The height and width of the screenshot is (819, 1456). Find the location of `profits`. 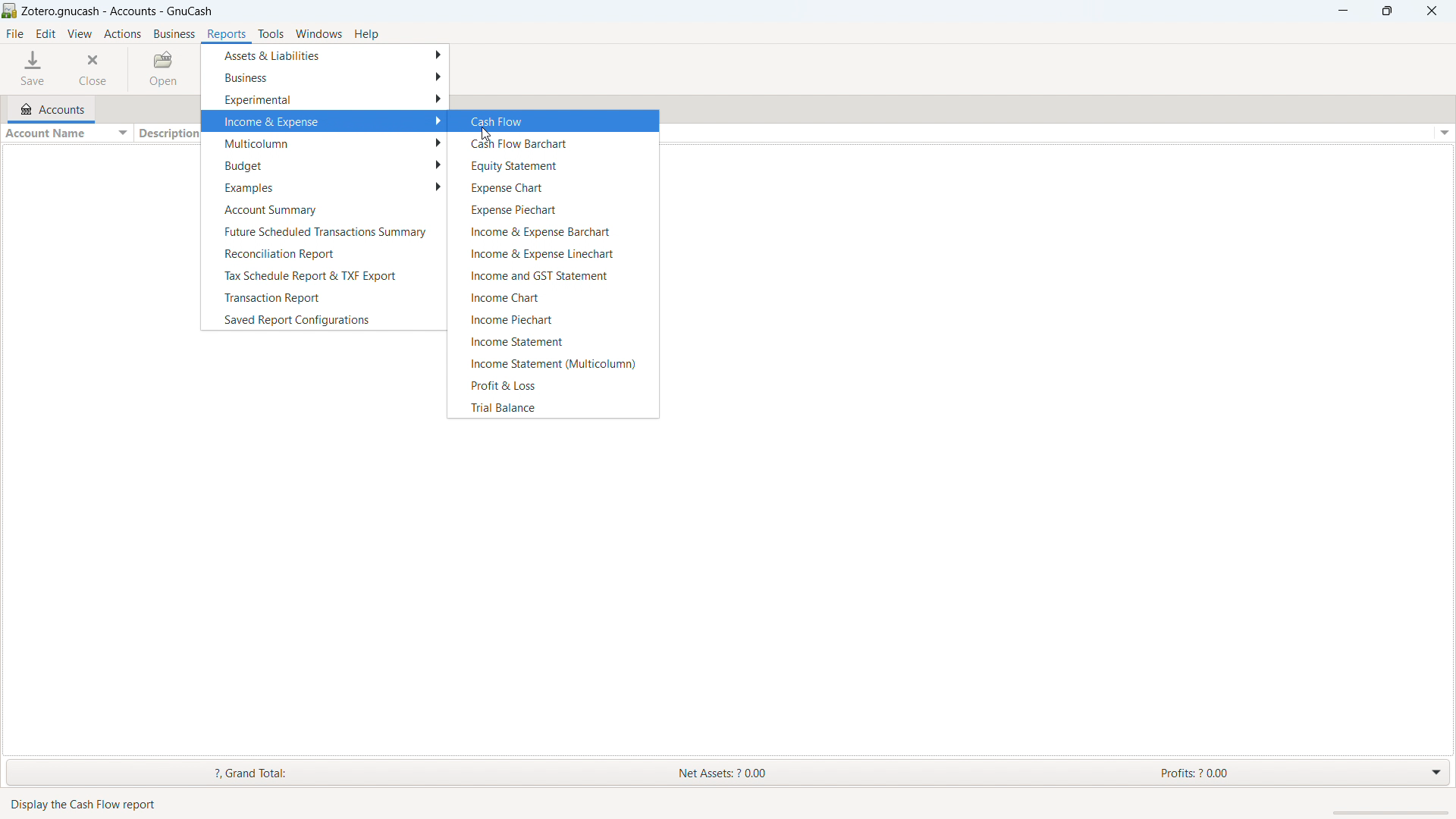

profits is located at coordinates (1259, 771).